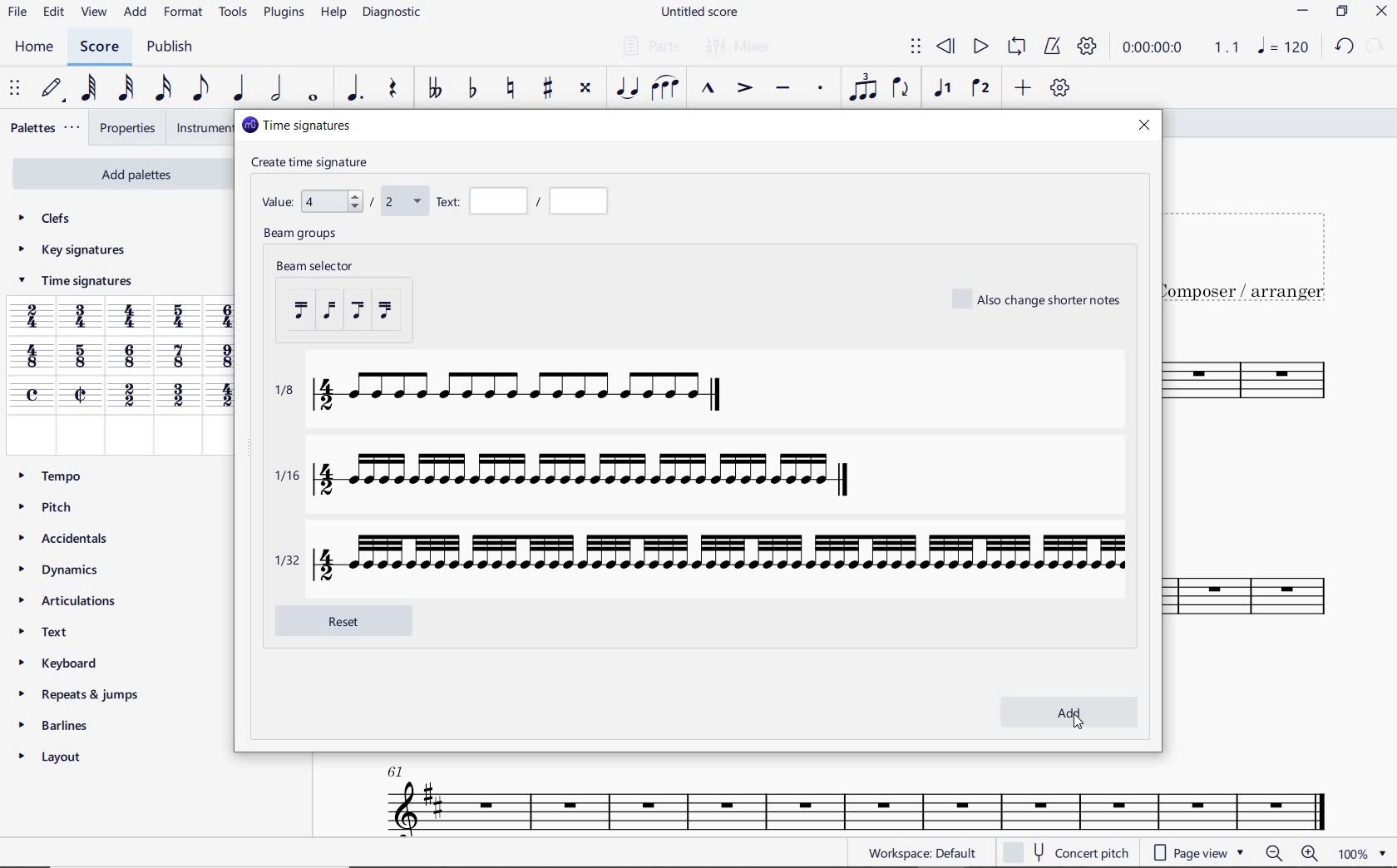  I want to click on 9/8, so click(224, 356).